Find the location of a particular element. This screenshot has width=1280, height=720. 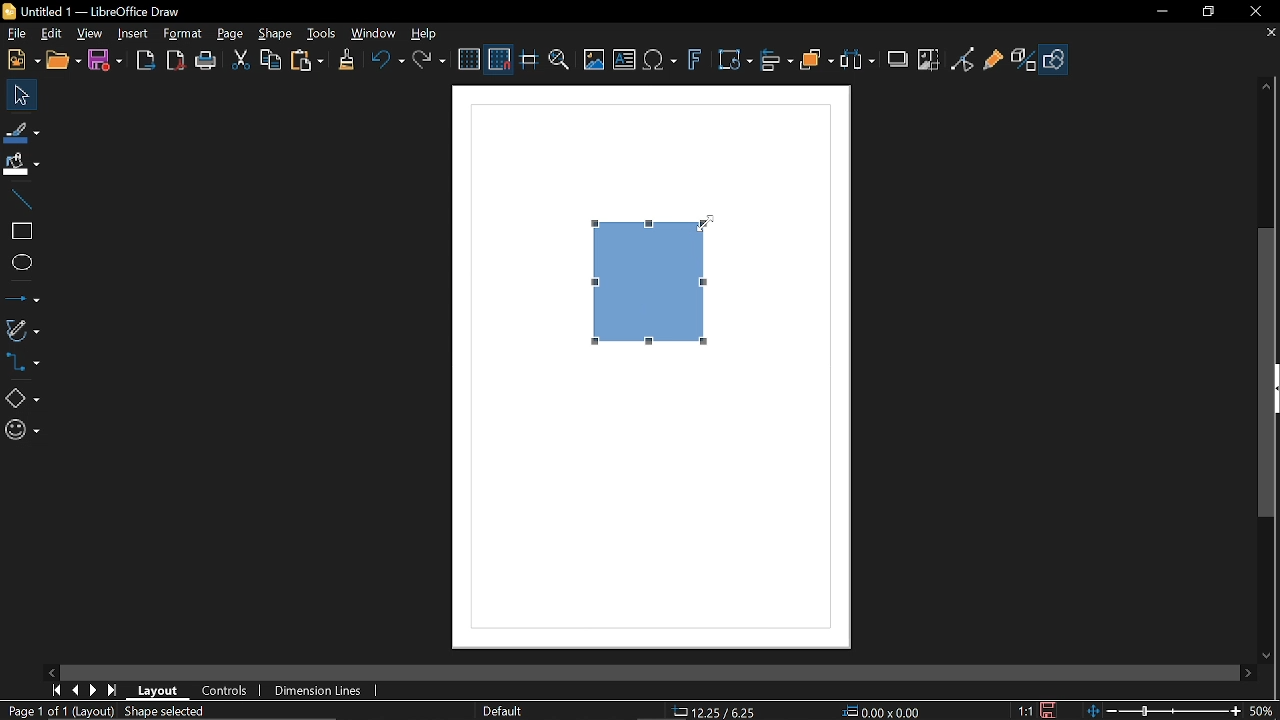

Move down is located at coordinates (1267, 656).